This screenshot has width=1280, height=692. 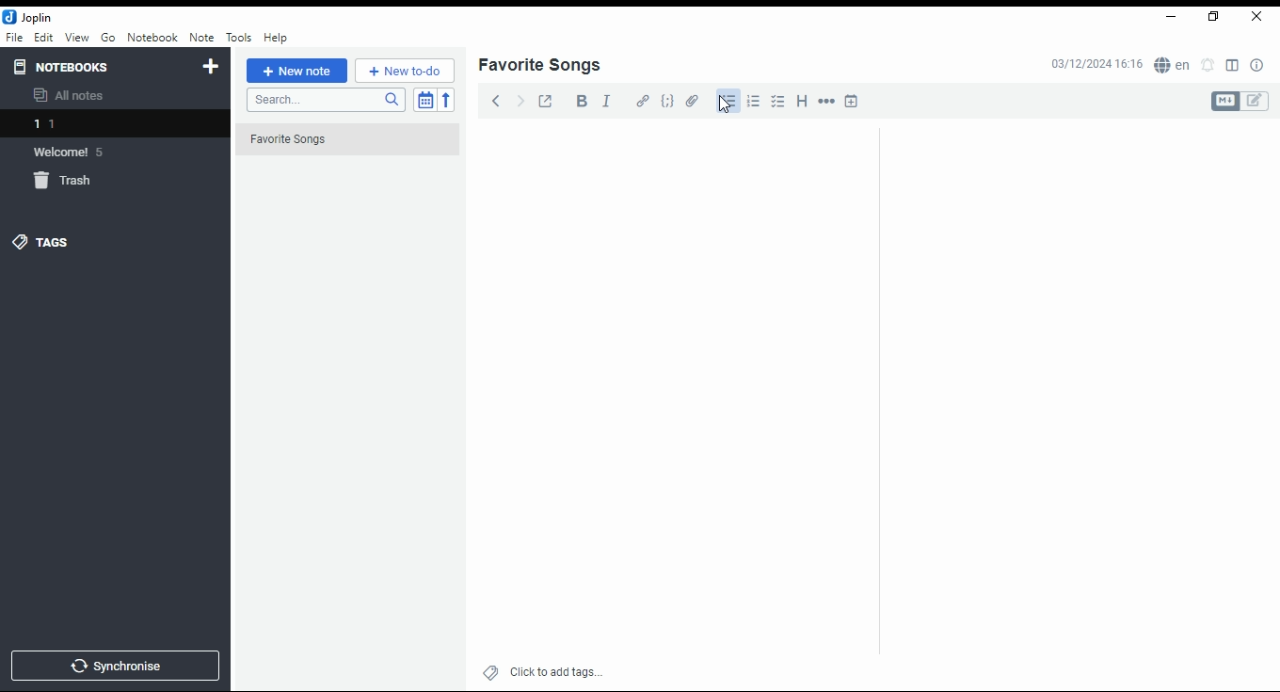 I want to click on heading, so click(x=803, y=99).